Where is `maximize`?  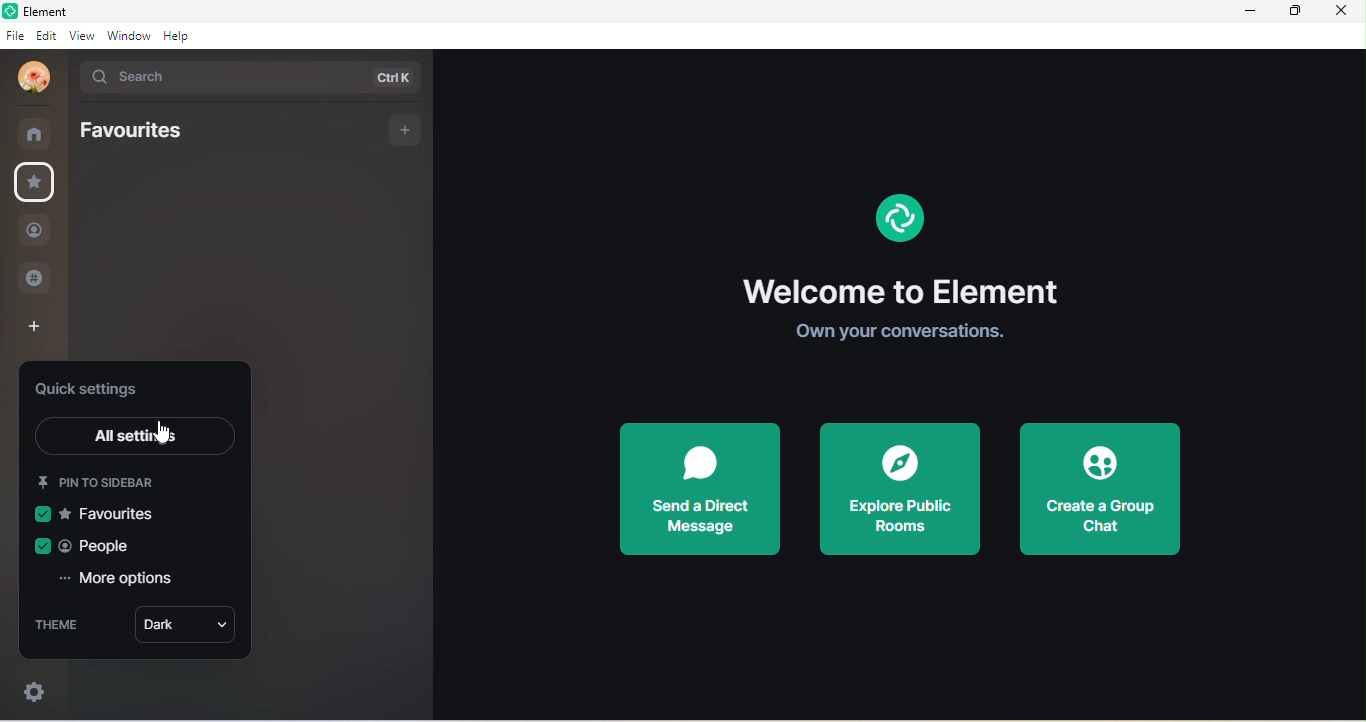
maximize is located at coordinates (1293, 12).